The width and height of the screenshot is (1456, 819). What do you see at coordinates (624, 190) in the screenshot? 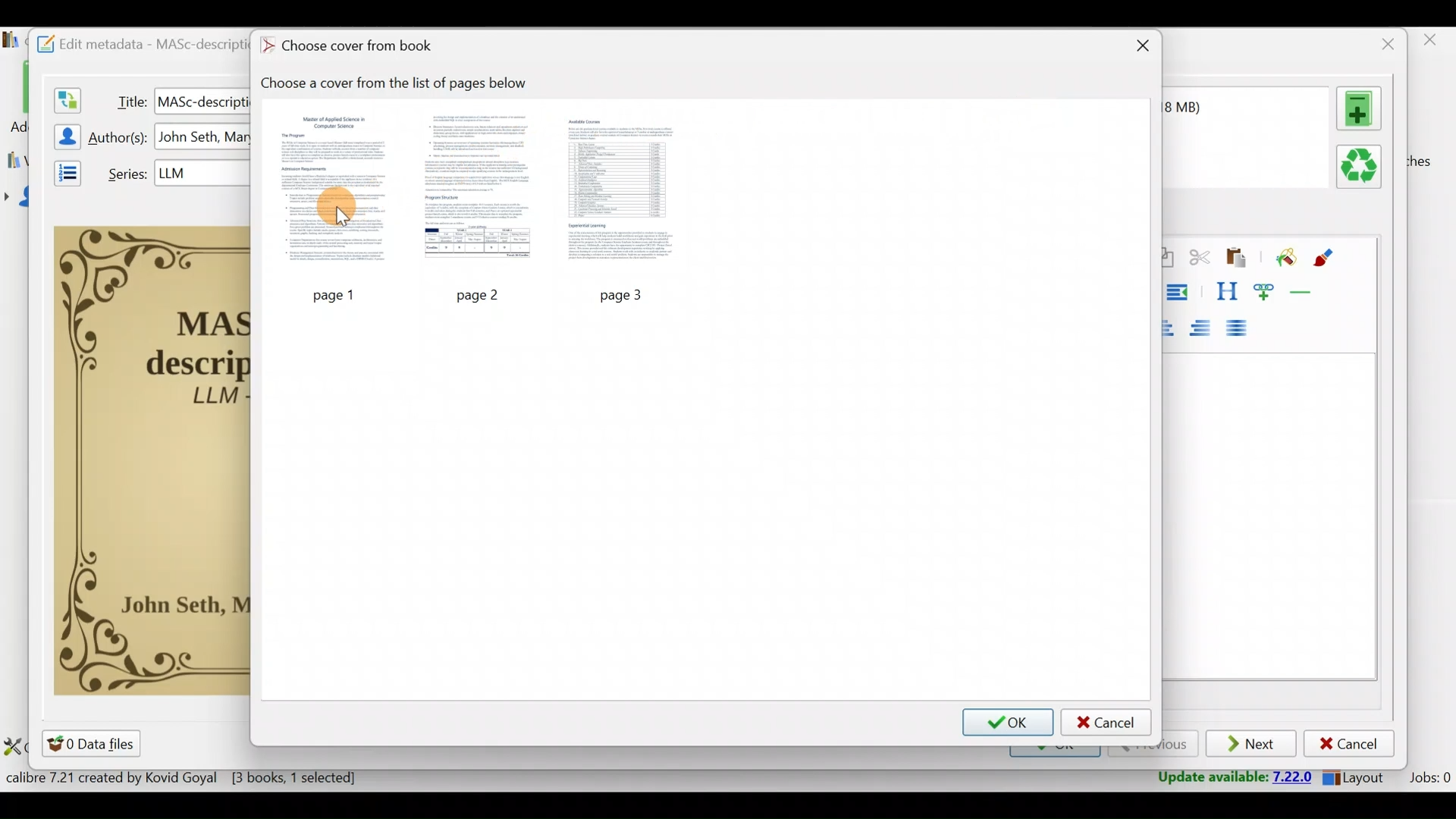
I see `Page 3` at bounding box center [624, 190].